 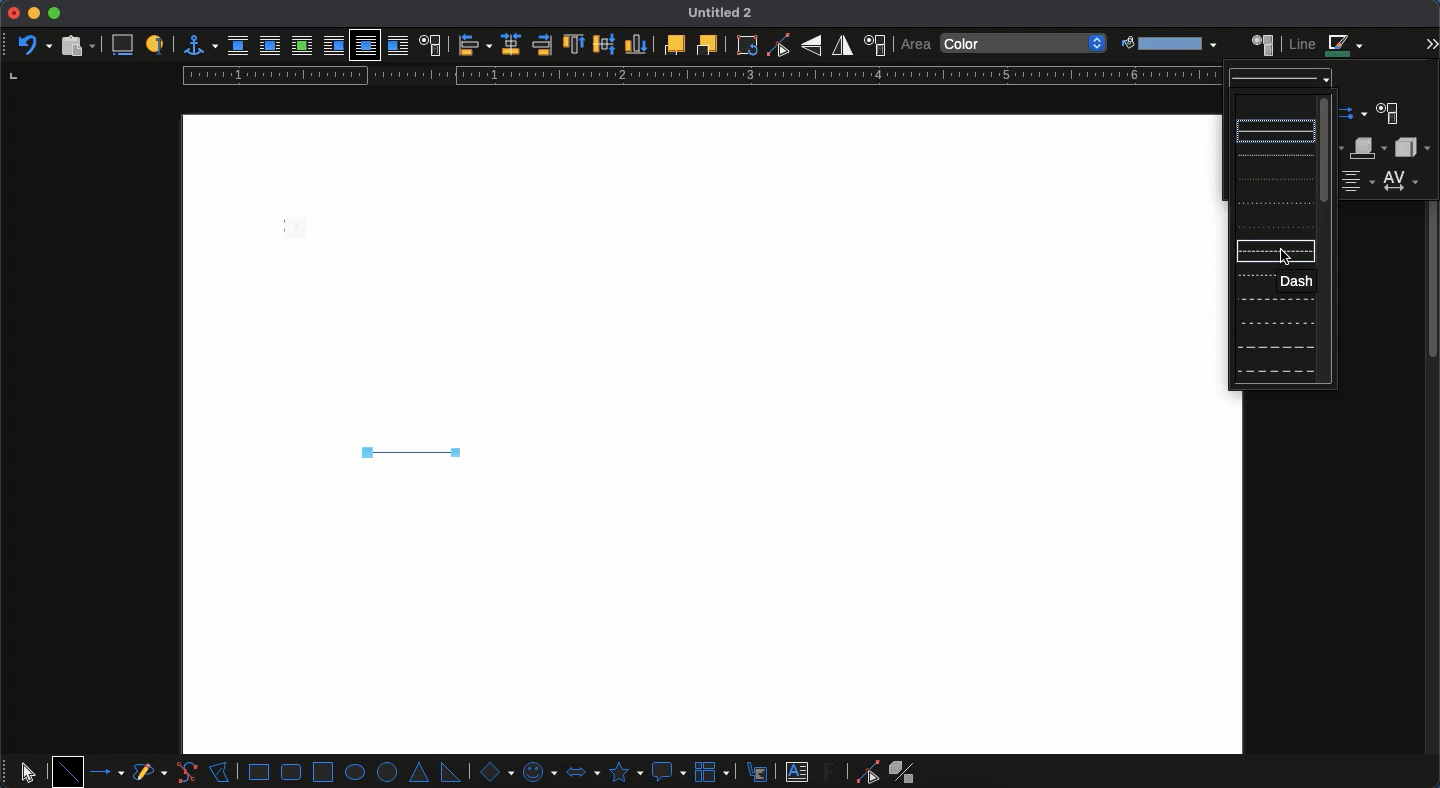 I want to click on Untitled 2 - name, so click(x=724, y=14).